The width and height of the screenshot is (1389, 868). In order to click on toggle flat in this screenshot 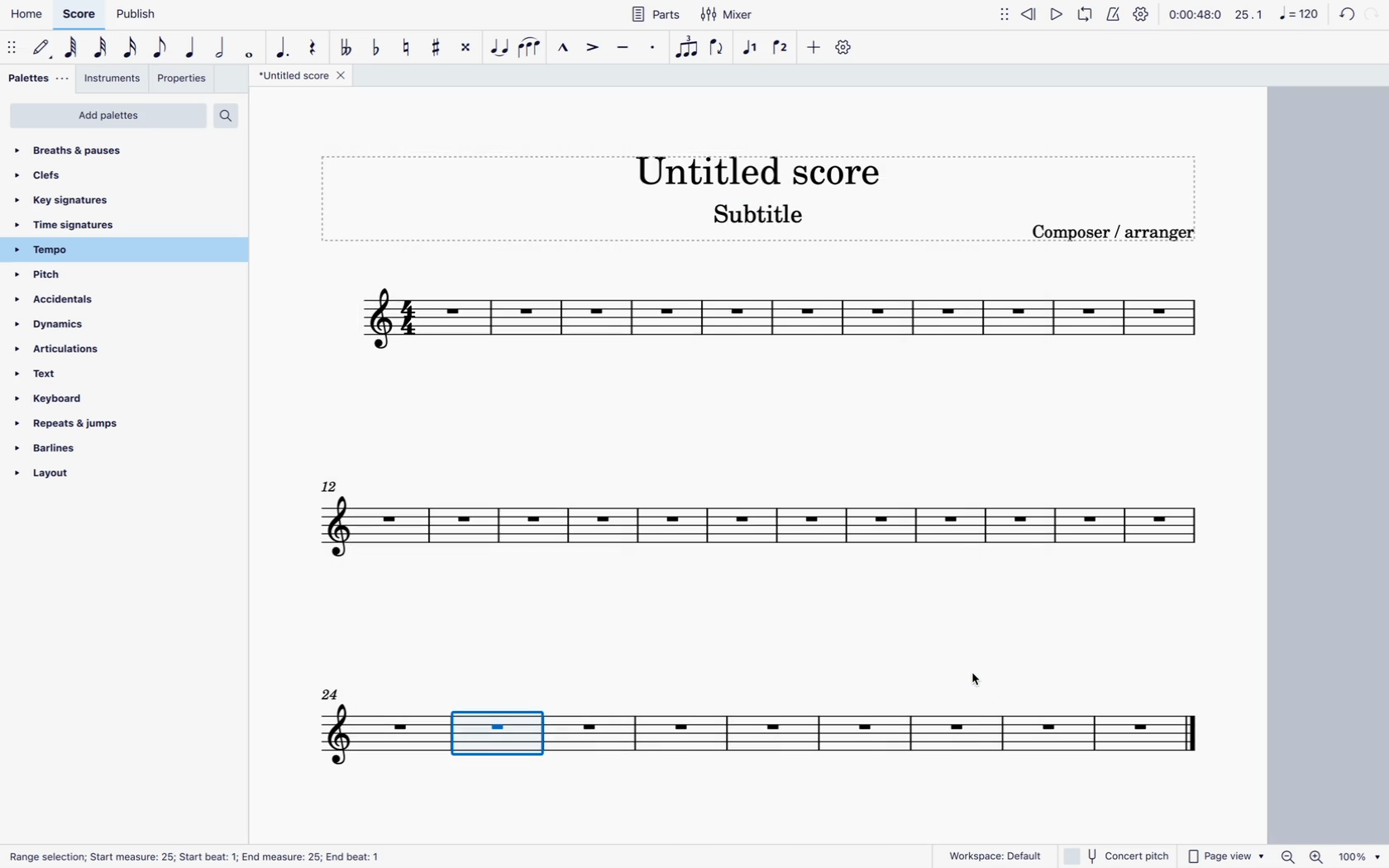, I will do `click(346, 48)`.